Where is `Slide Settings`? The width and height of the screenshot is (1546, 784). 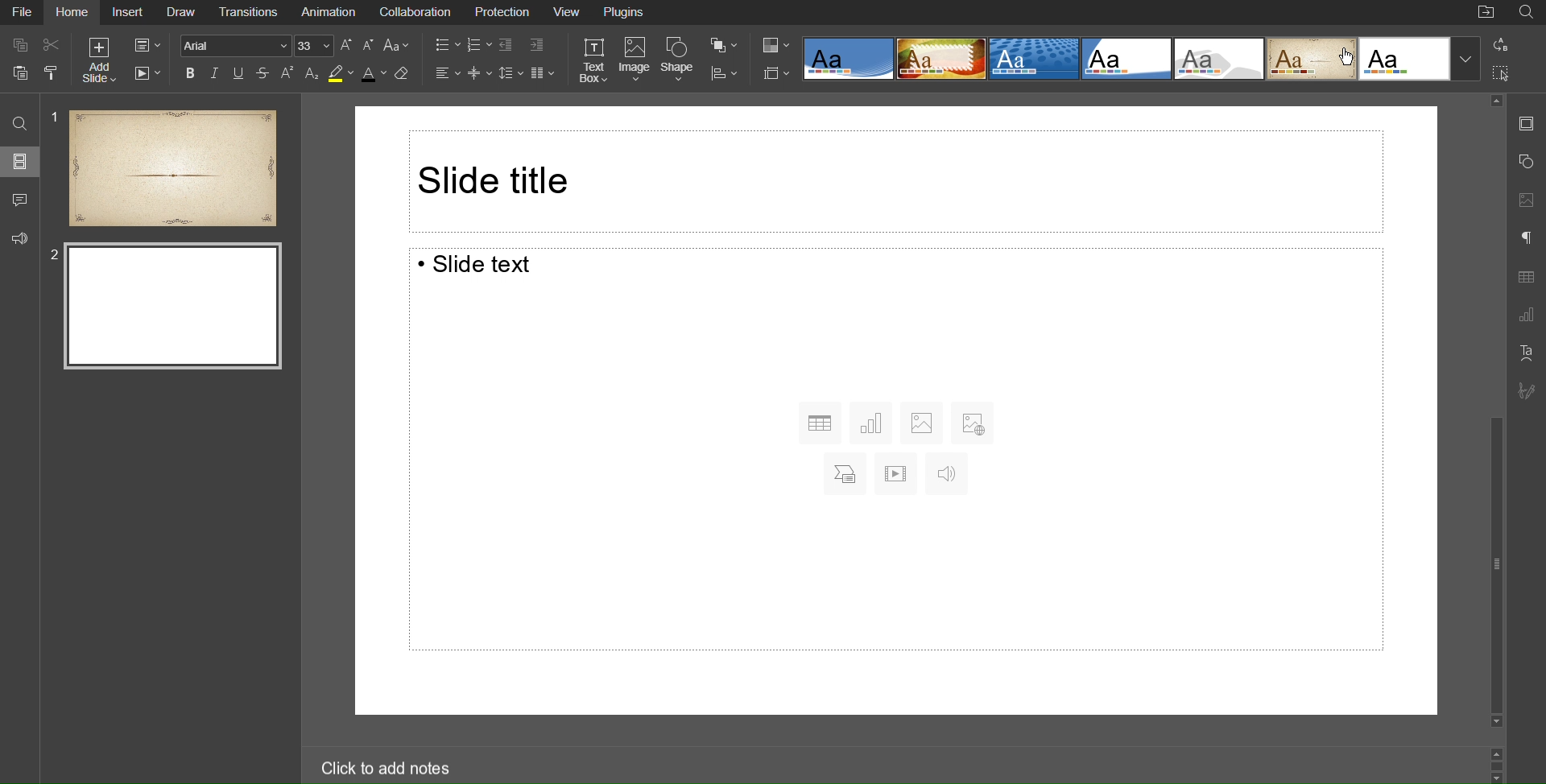
Slide Settings is located at coordinates (1526, 122).